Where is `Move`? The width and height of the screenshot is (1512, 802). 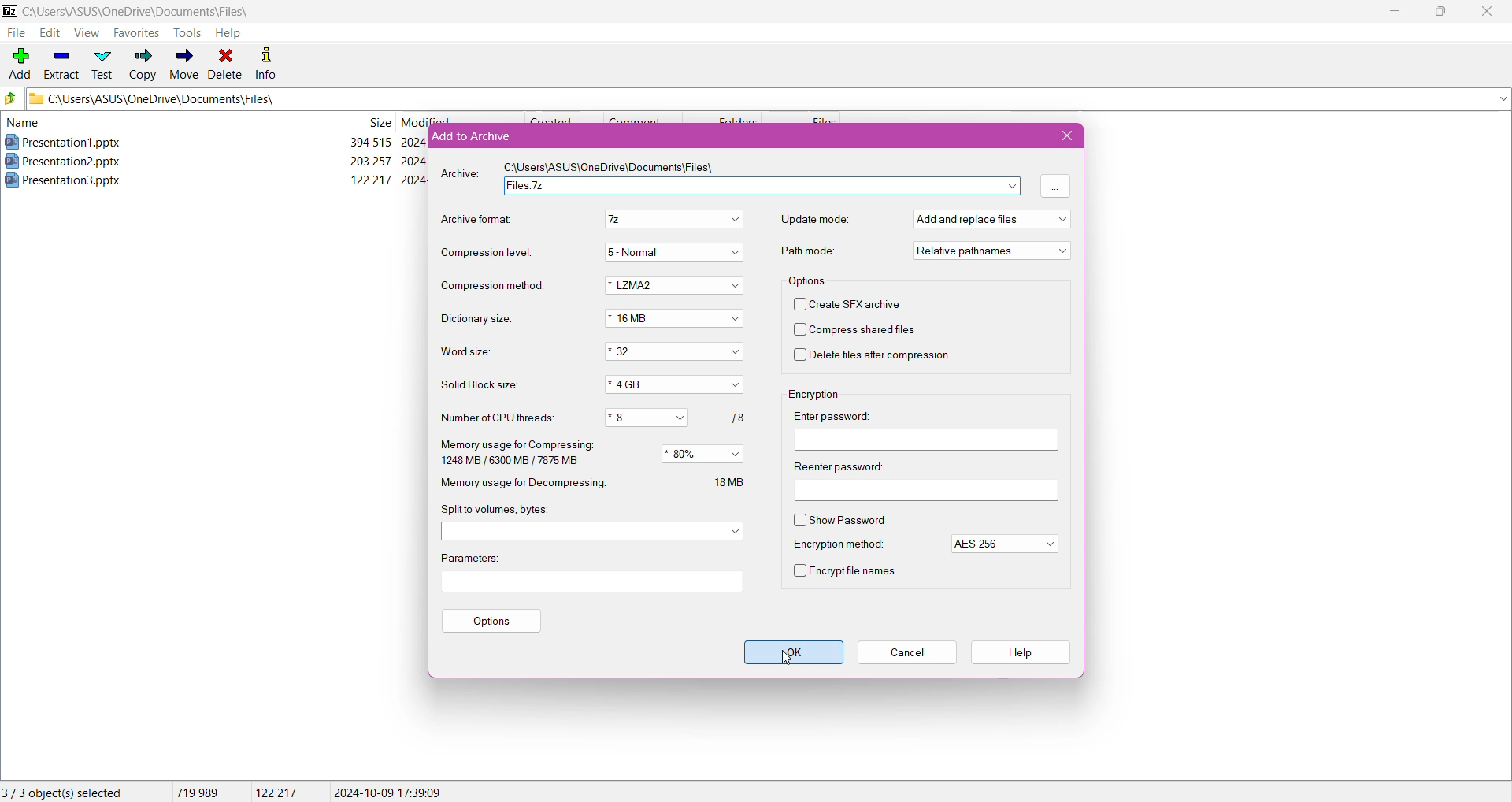
Move is located at coordinates (182, 65).